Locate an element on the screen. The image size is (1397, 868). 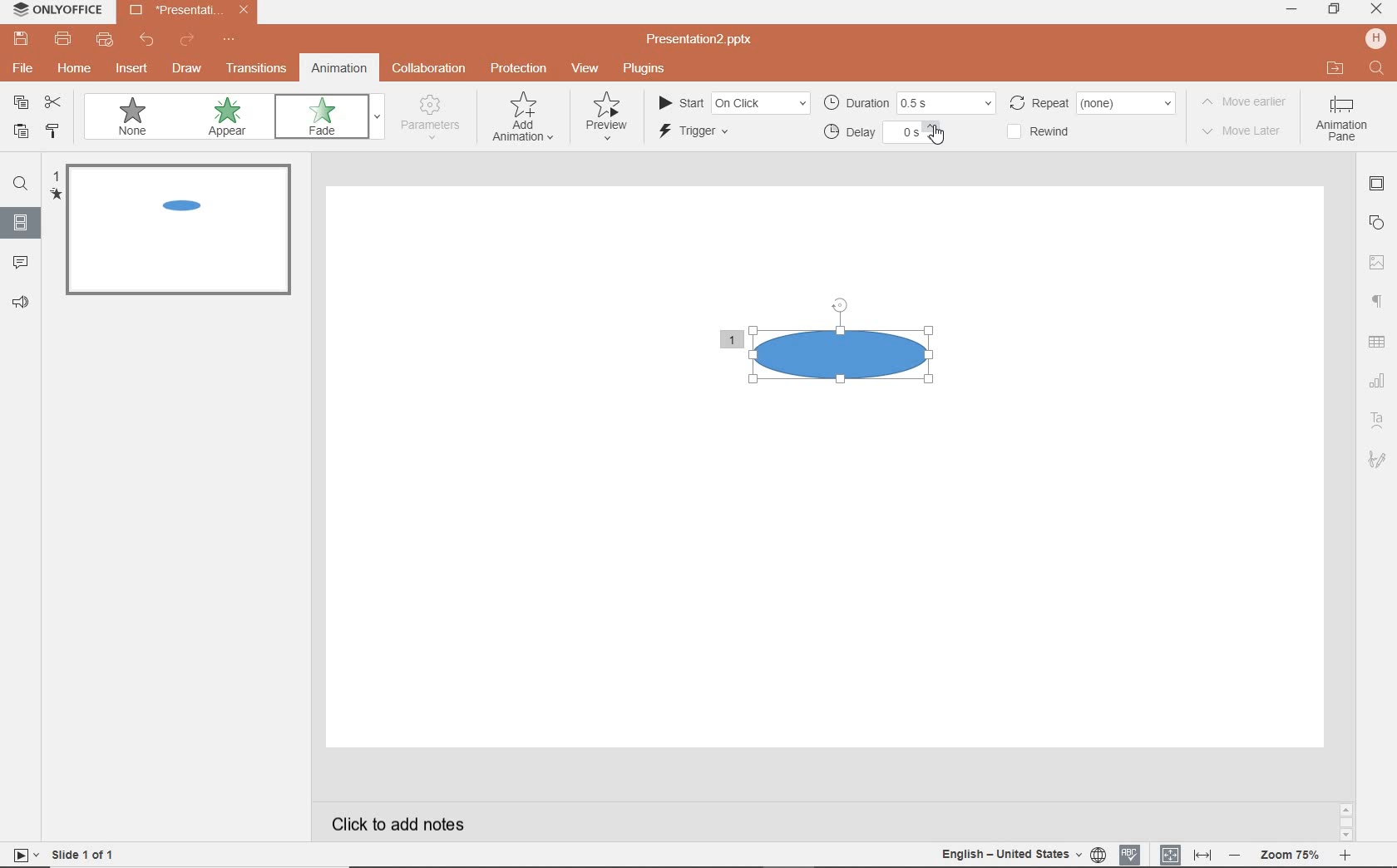
protection is located at coordinates (519, 68).